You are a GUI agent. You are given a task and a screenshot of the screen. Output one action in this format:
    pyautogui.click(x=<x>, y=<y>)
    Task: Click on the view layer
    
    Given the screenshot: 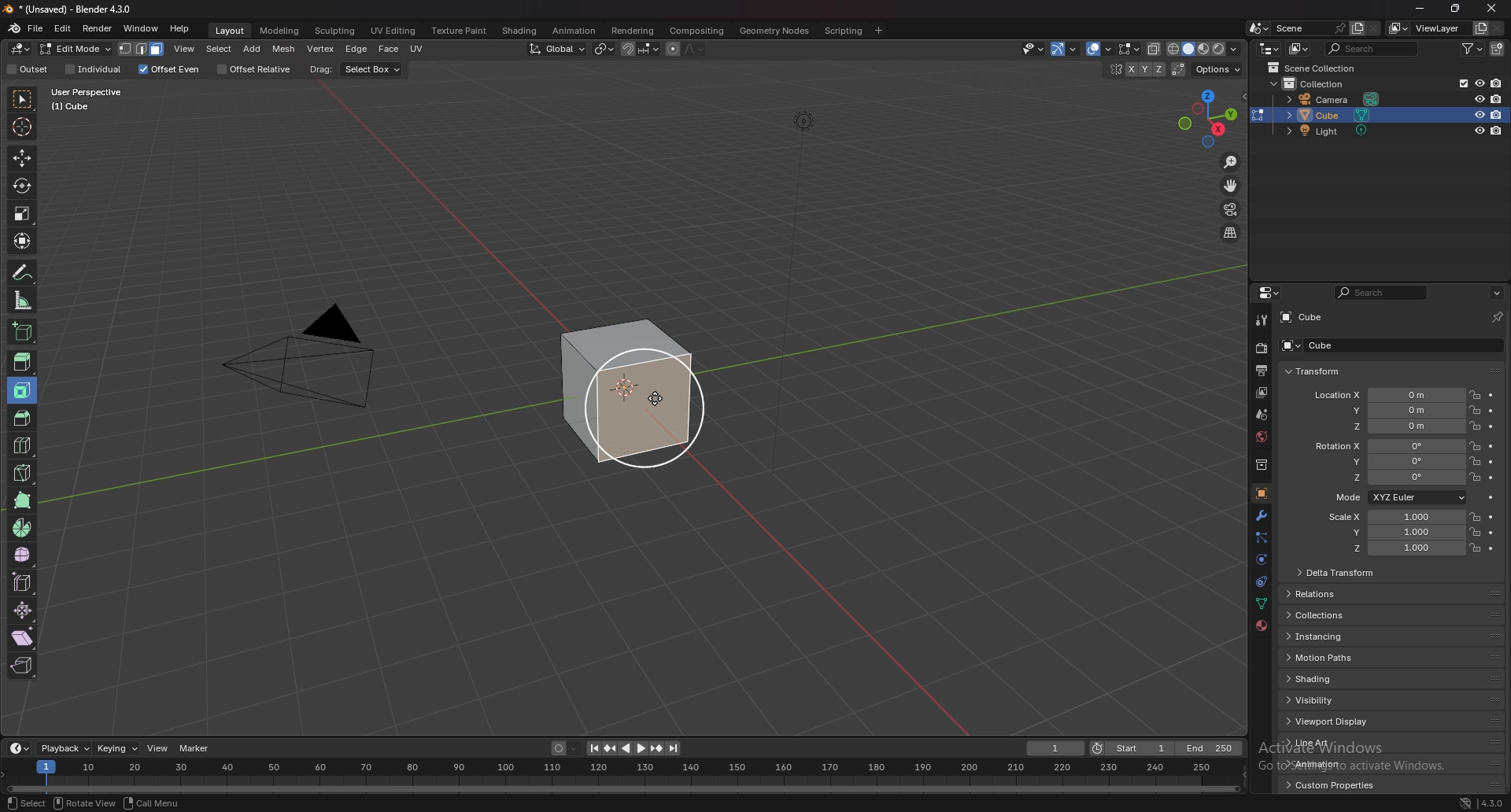 What is the action you would take?
    pyautogui.click(x=1424, y=28)
    